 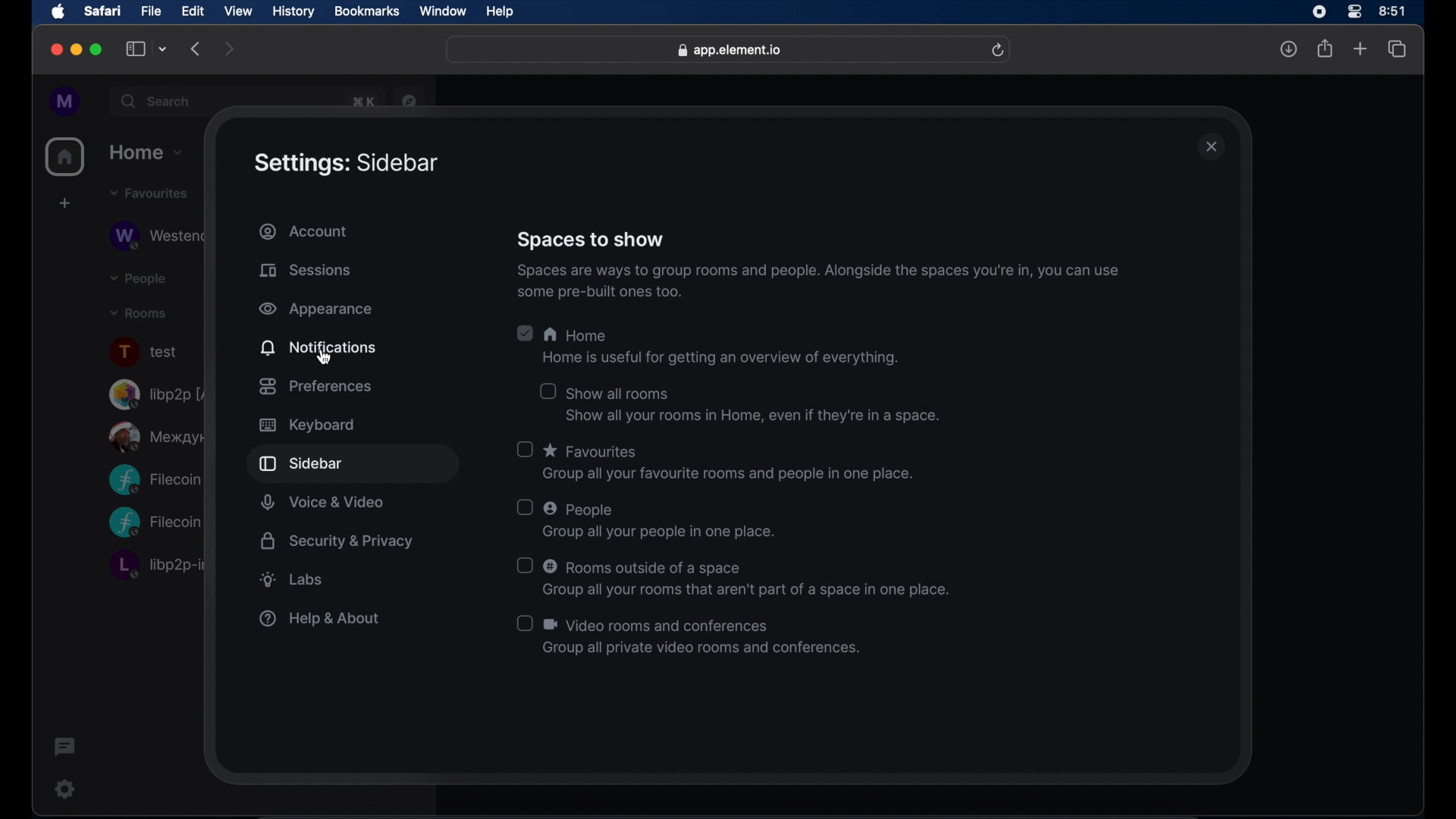 What do you see at coordinates (155, 480) in the screenshot?
I see `Filecoin` at bounding box center [155, 480].